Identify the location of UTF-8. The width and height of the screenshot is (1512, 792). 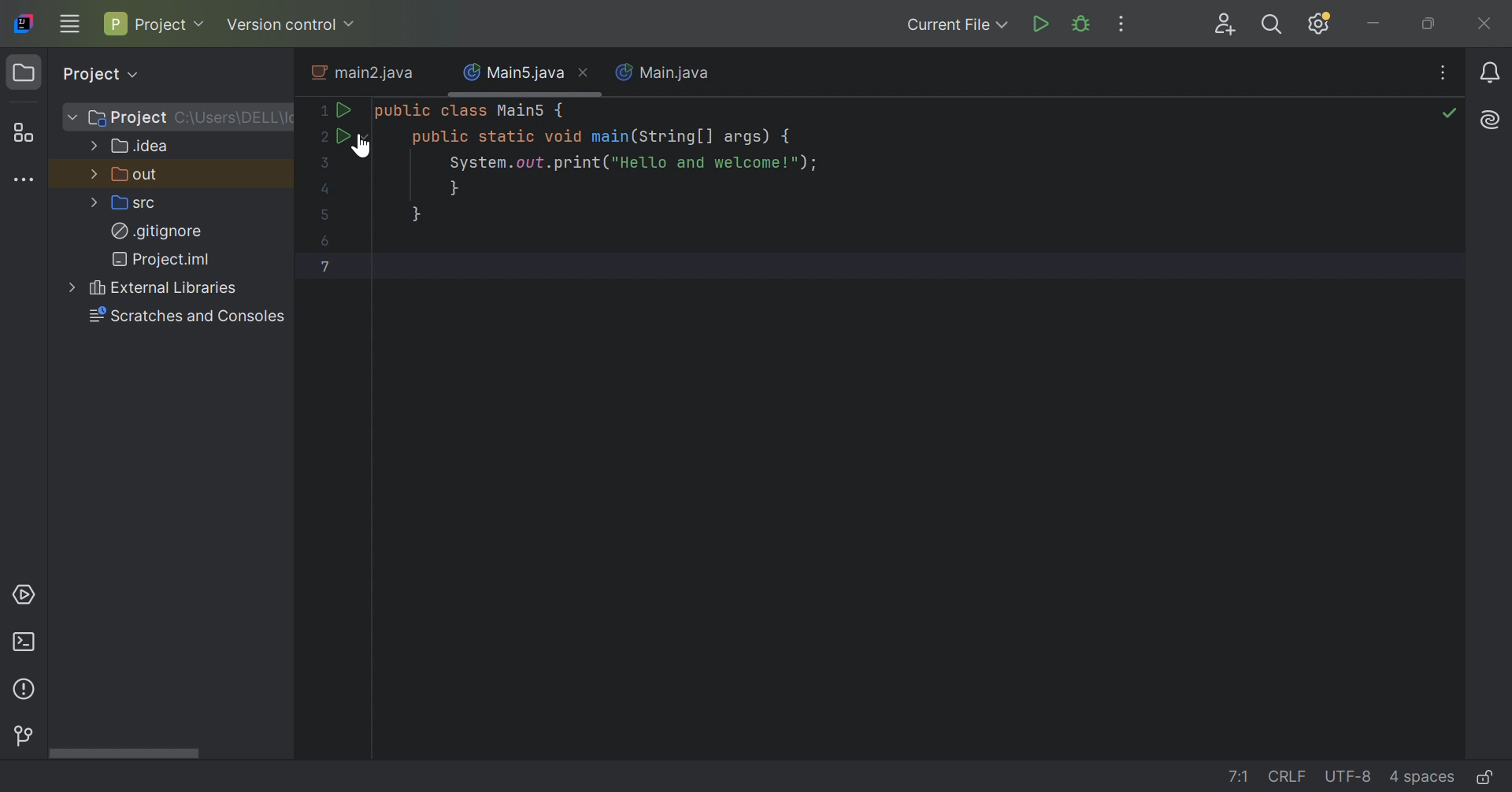
(1349, 779).